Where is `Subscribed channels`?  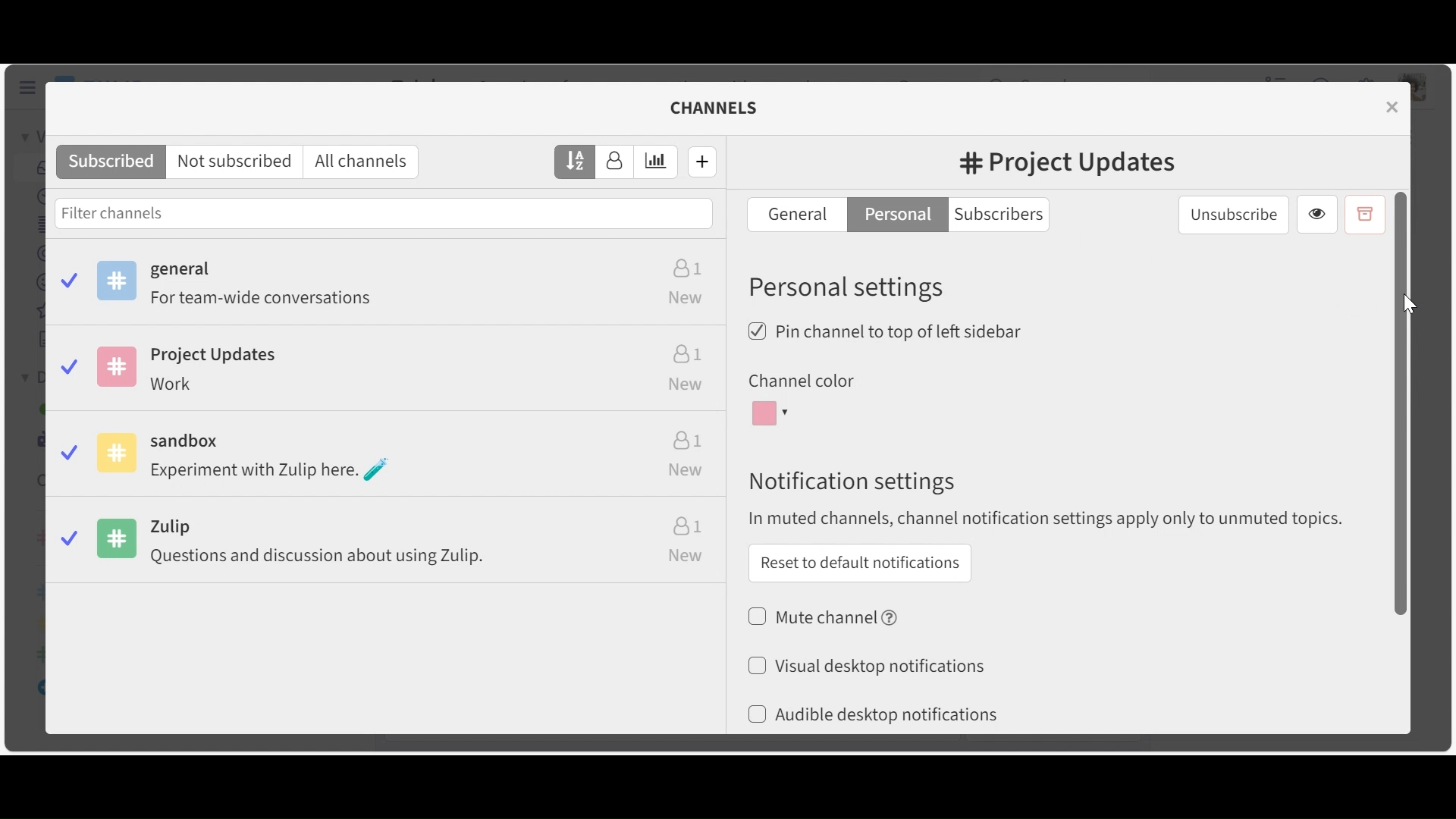 Subscribed channels is located at coordinates (111, 162).